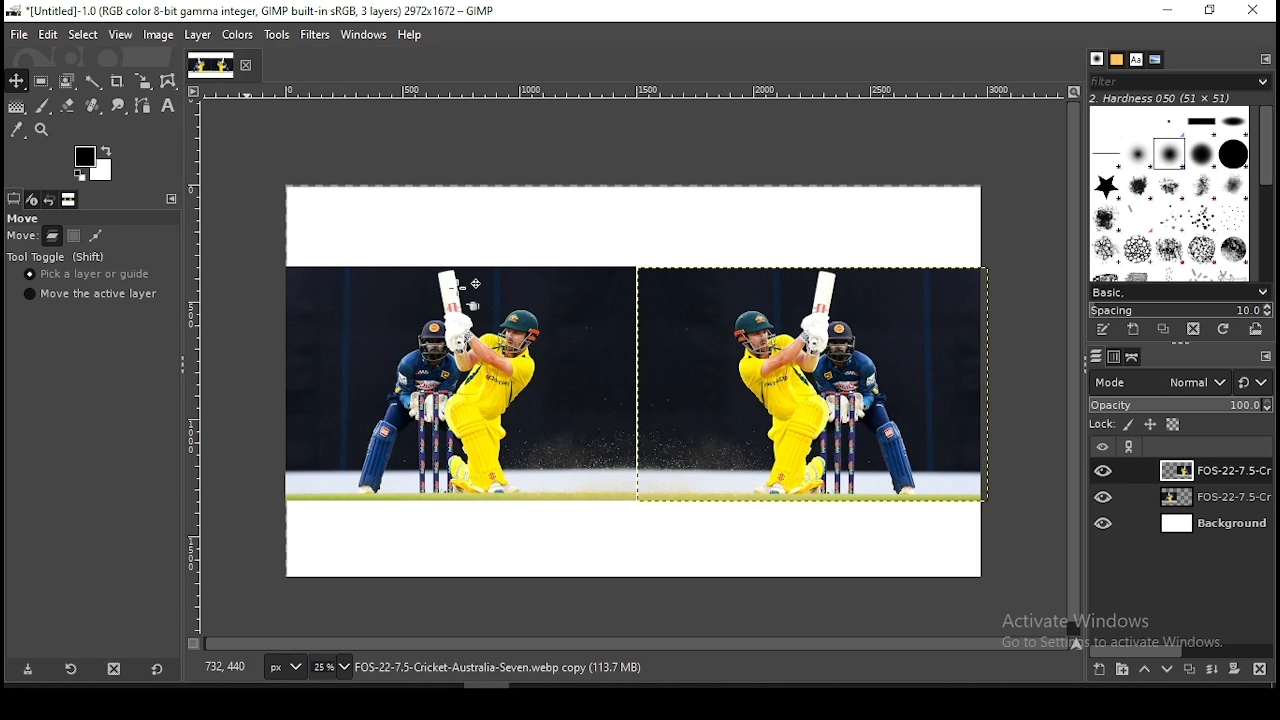  What do you see at coordinates (457, 289) in the screenshot?
I see `cursor` at bounding box center [457, 289].